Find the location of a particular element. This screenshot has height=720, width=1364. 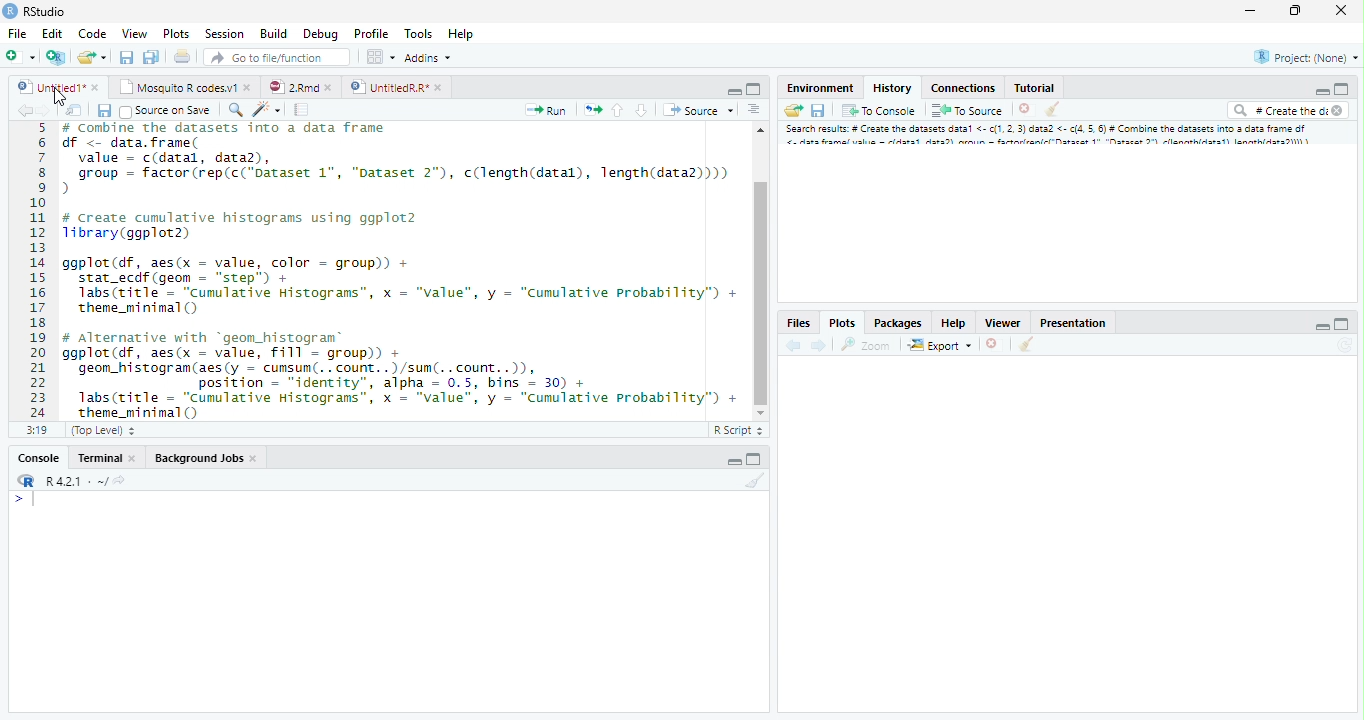

Zoom is located at coordinates (235, 112).